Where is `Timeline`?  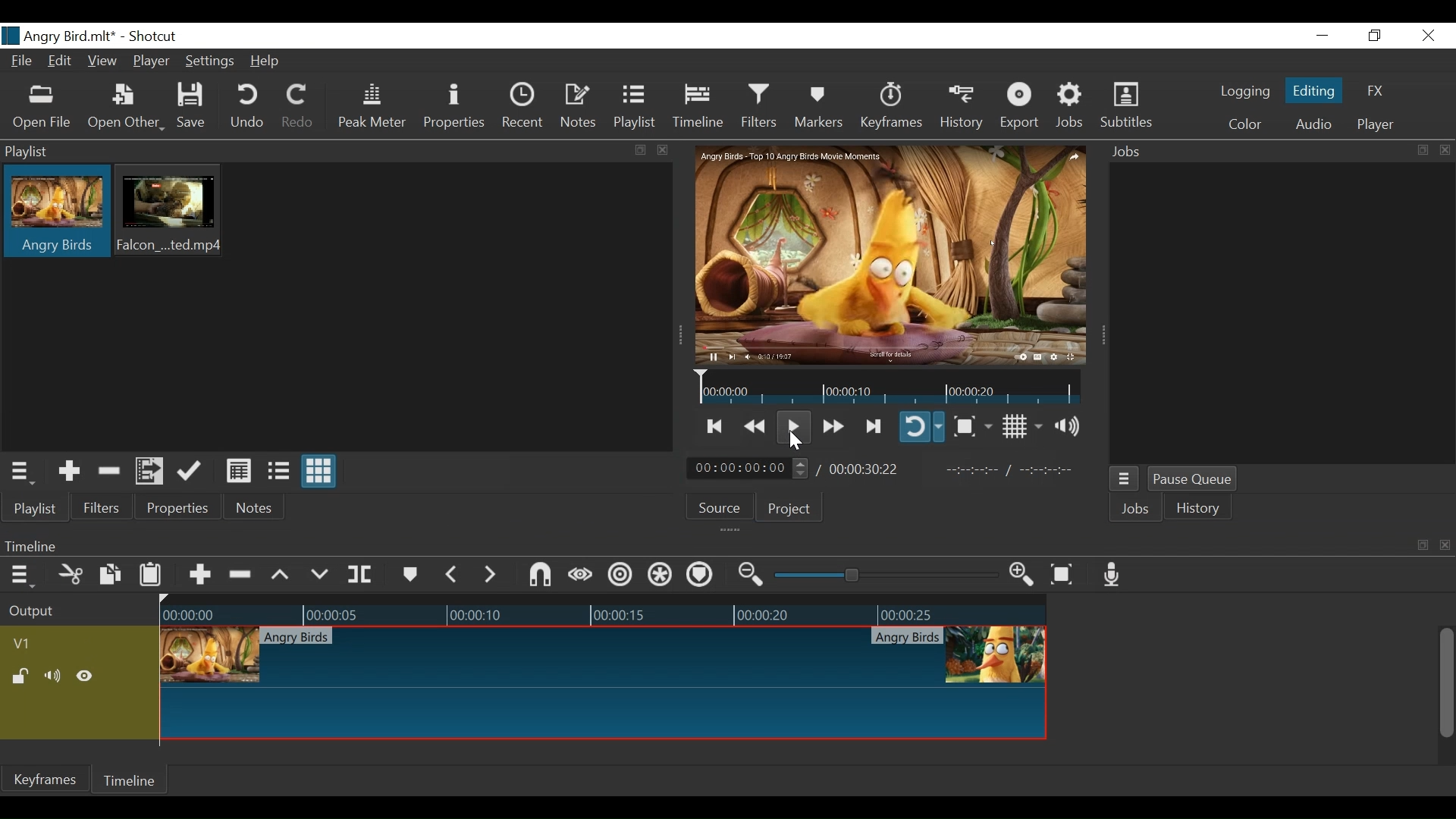 Timeline is located at coordinates (604, 608).